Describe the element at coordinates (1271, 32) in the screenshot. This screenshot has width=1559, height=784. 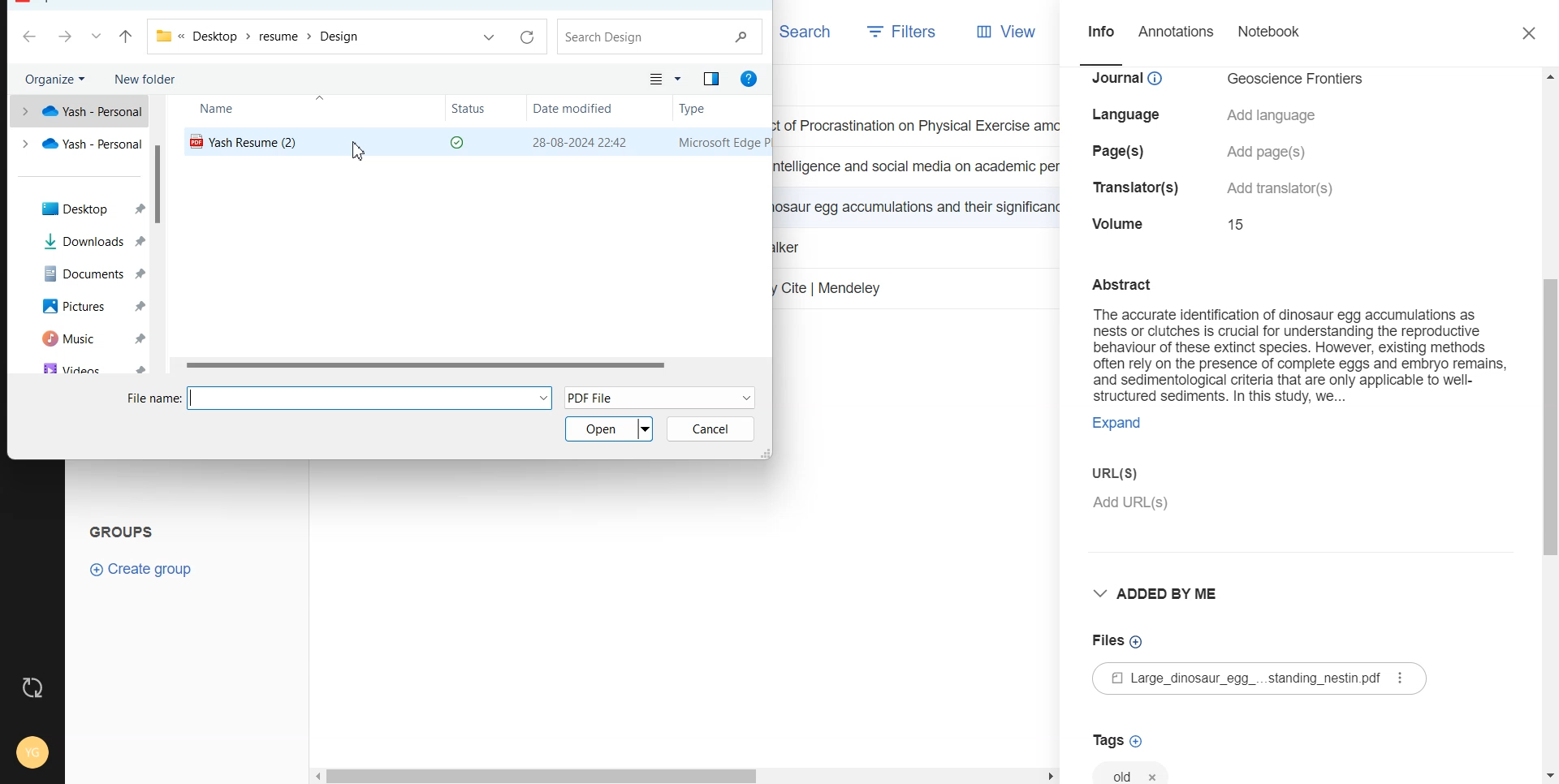
I see `Notebook` at that location.